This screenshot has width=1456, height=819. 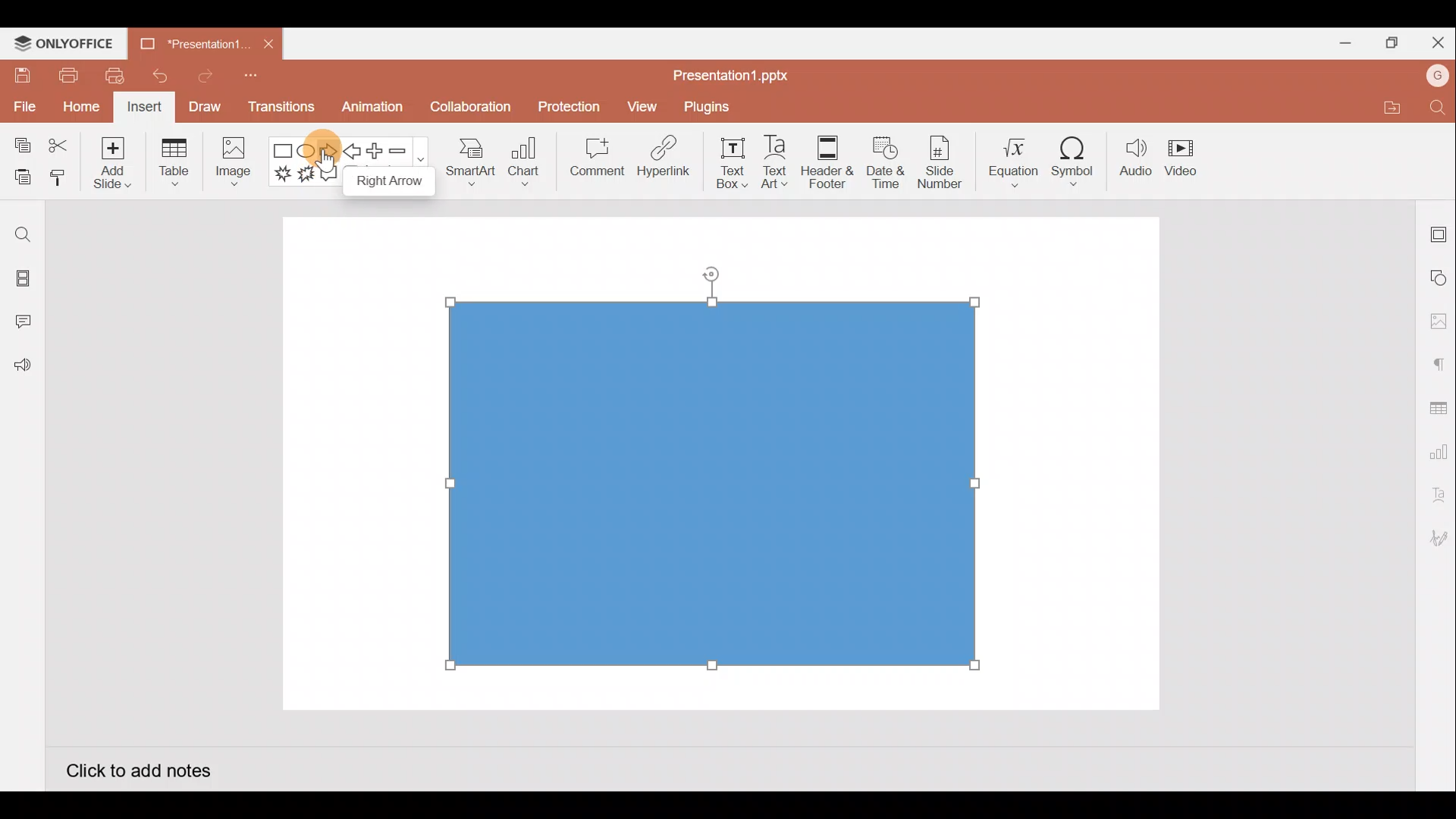 What do you see at coordinates (939, 162) in the screenshot?
I see `Slide number` at bounding box center [939, 162].